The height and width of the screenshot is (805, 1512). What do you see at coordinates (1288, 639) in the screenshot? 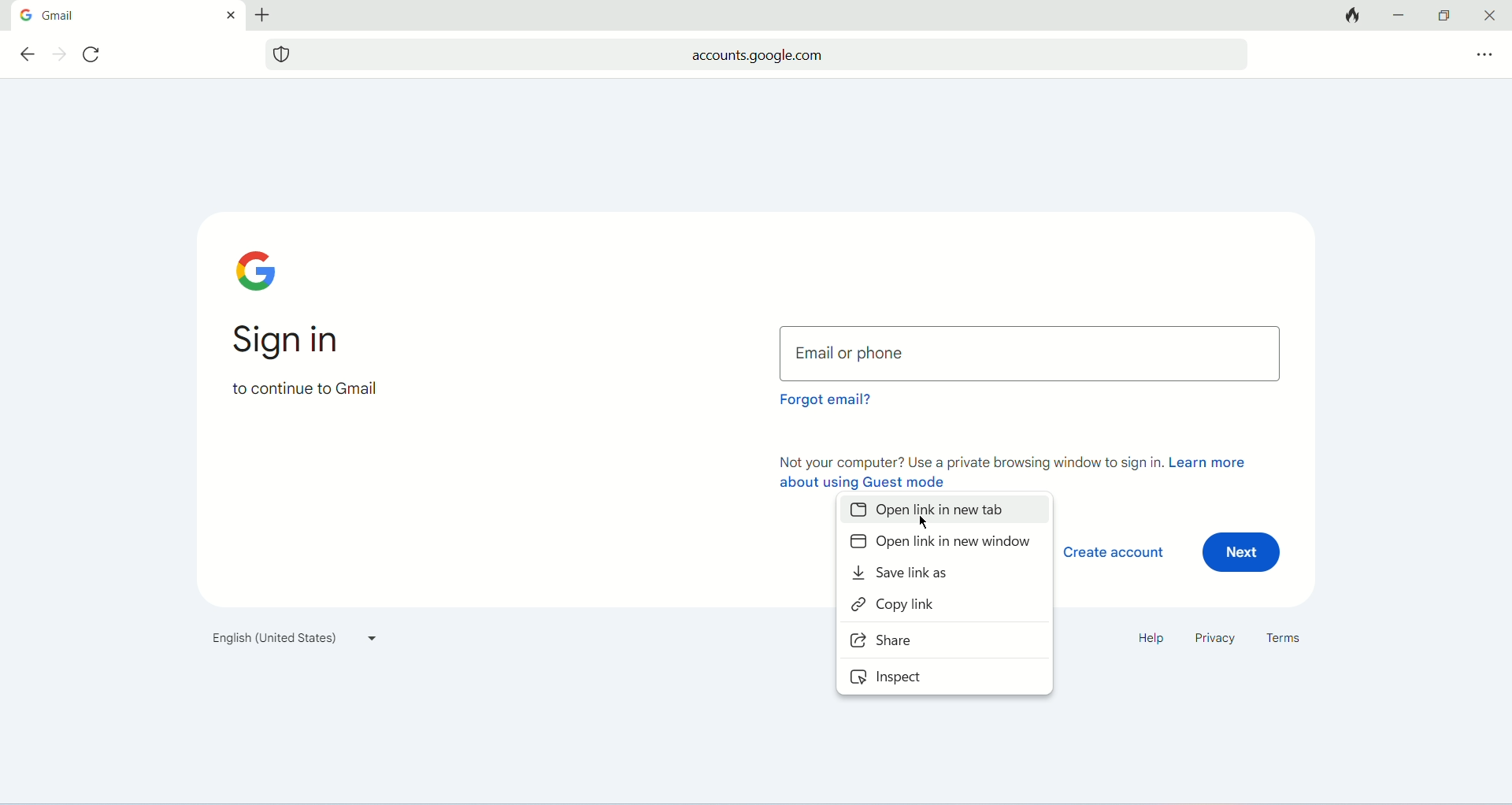
I see `terms` at bounding box center [1288, 639].